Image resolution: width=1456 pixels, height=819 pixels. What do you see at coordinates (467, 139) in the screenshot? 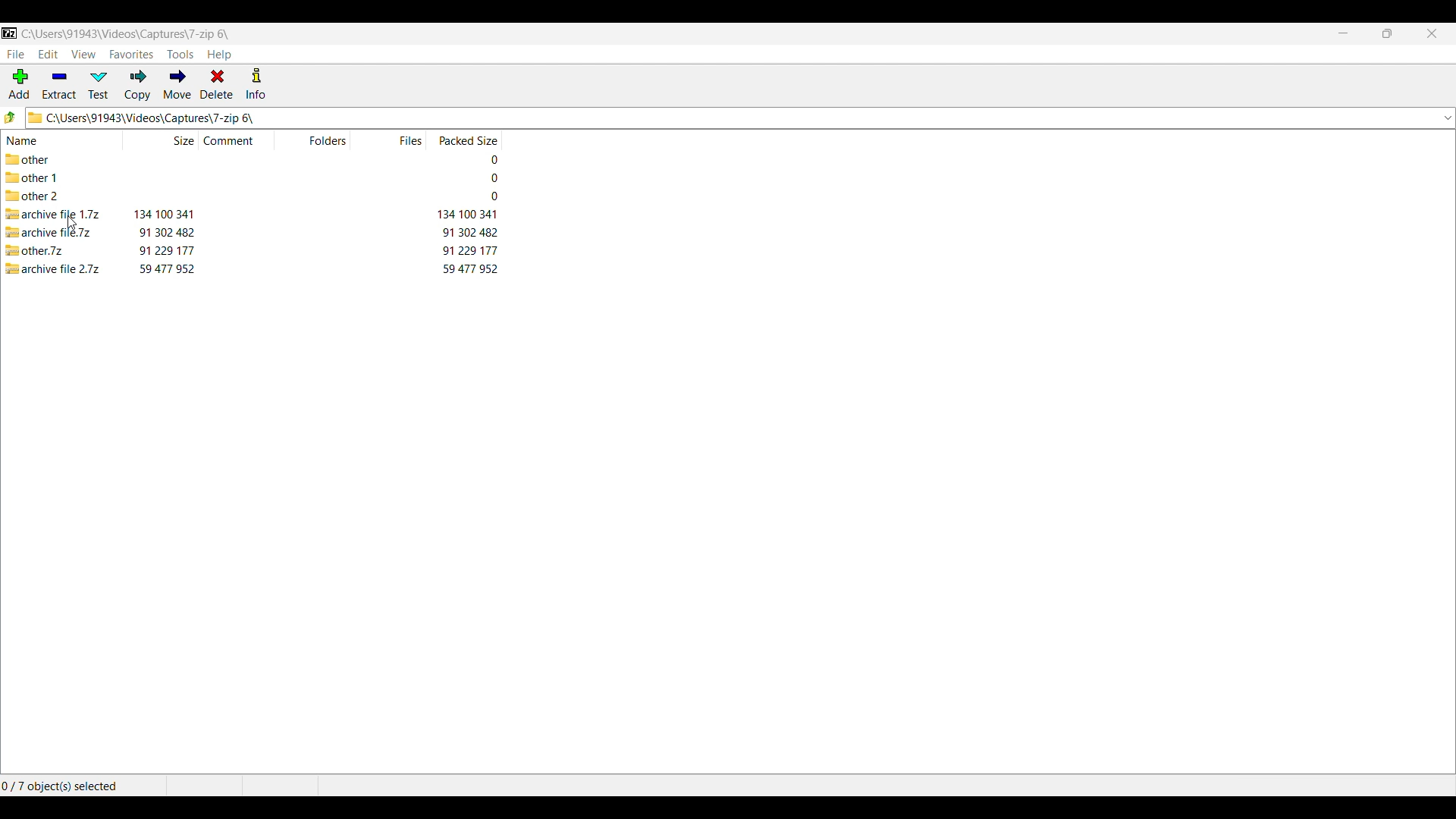
I see `Packed size ` at bounding box center [467, 139].